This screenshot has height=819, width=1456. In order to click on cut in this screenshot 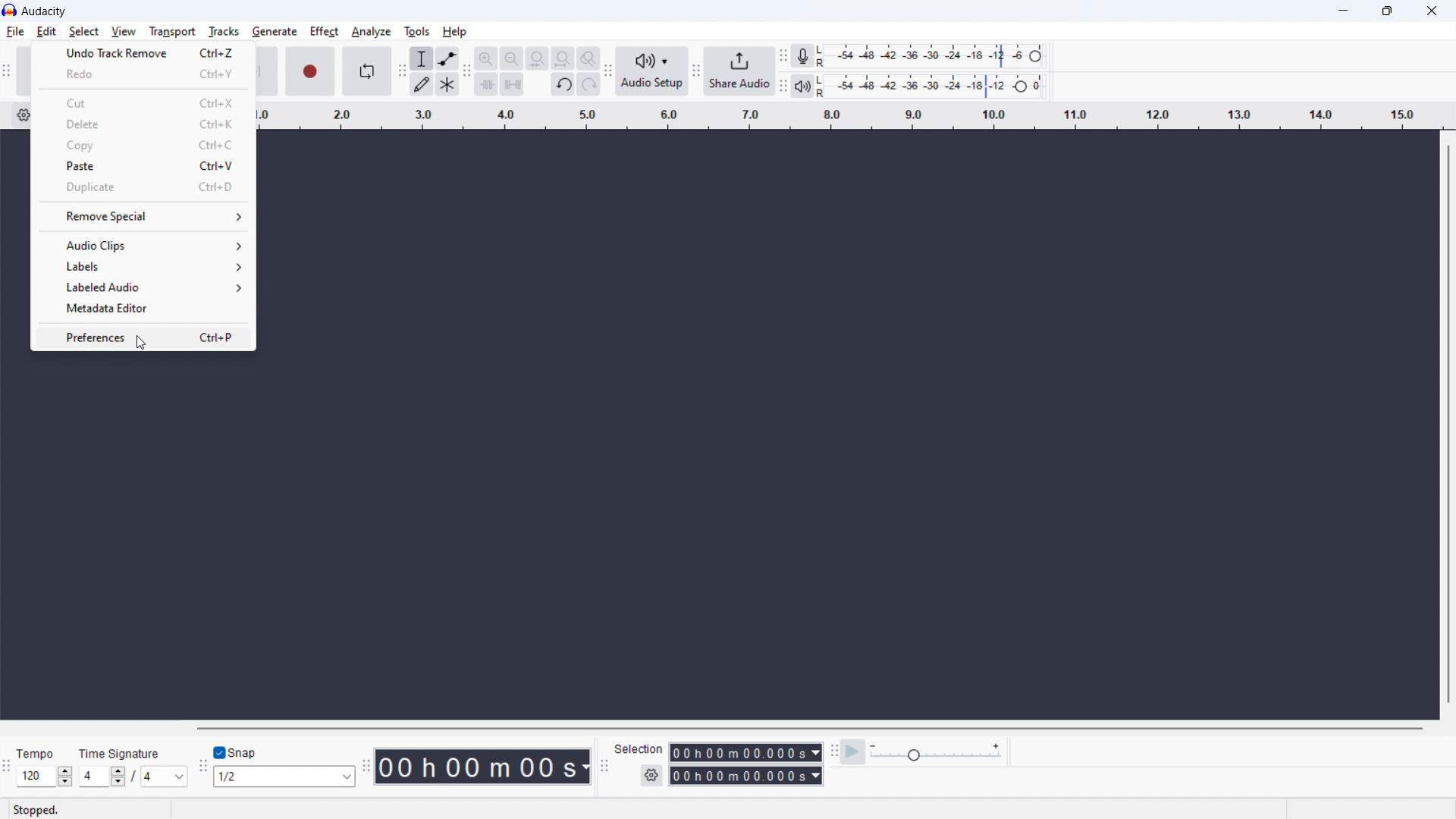, I will do `click(142, 101)`.